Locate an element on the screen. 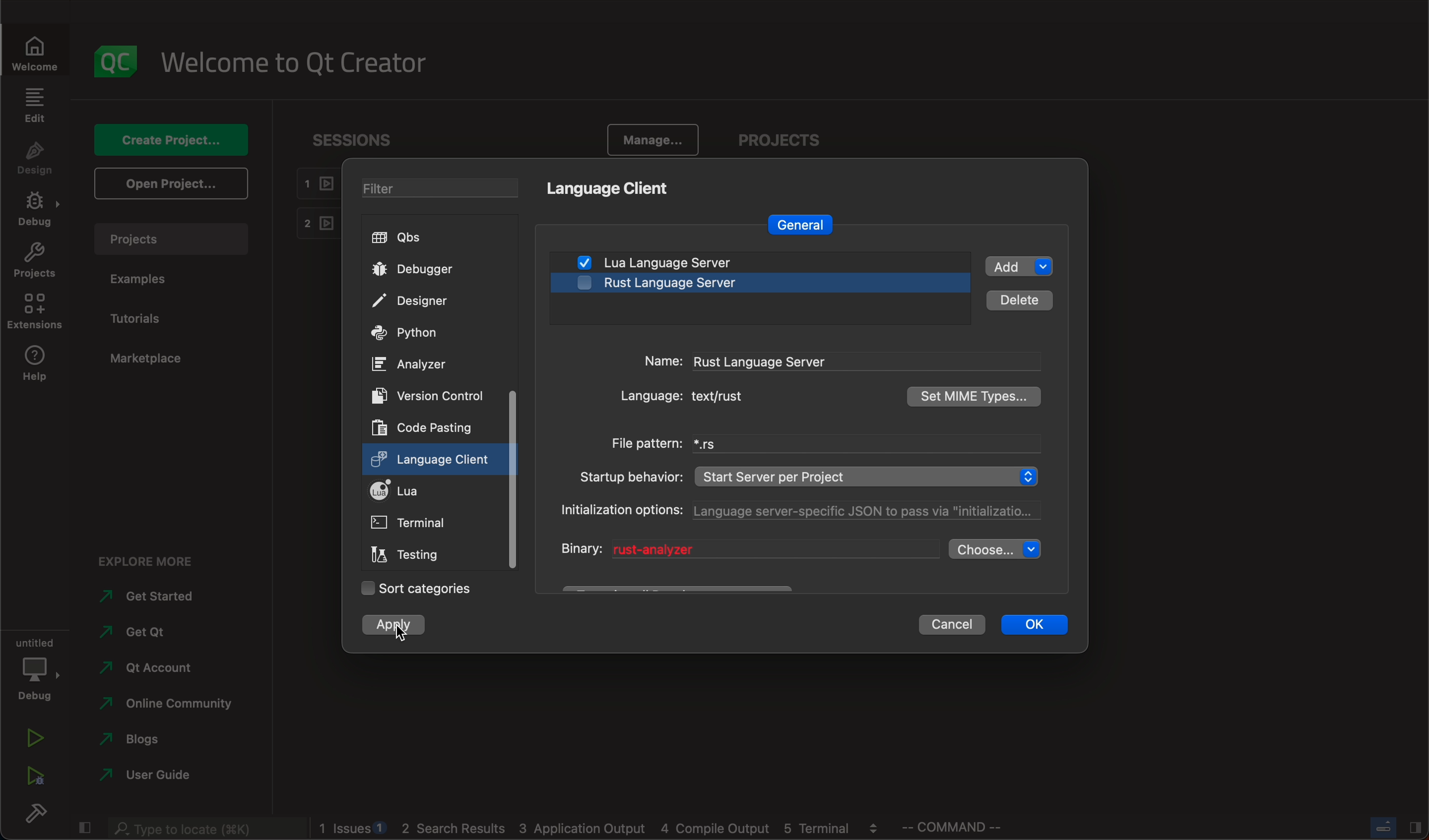  lua is located at coordinates (407, 490).